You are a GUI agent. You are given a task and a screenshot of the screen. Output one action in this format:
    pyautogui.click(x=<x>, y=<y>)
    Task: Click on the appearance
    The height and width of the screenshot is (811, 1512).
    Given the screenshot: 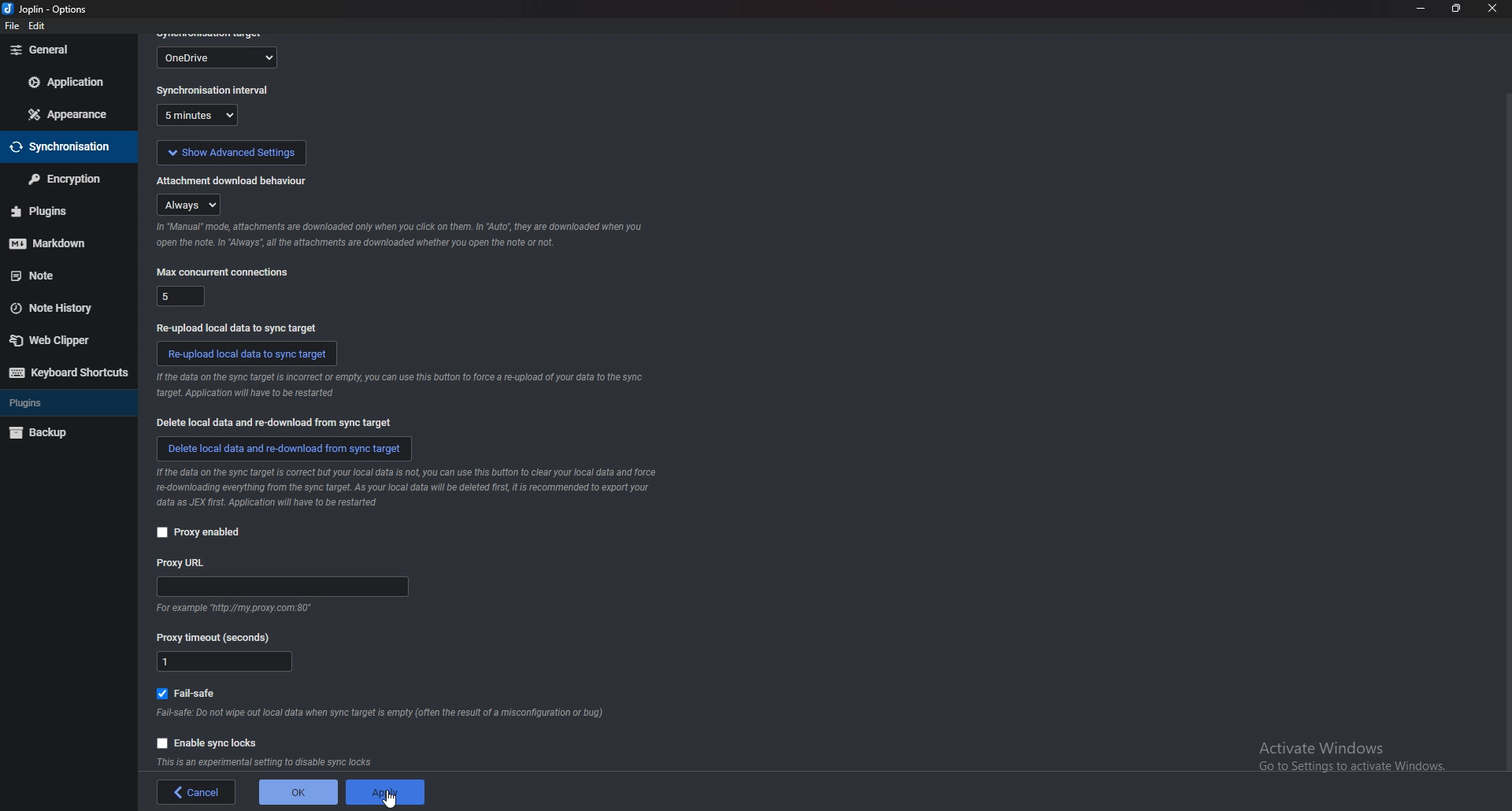 What is the action you would take?
    pyautogui.click(x=70, y=113)
    